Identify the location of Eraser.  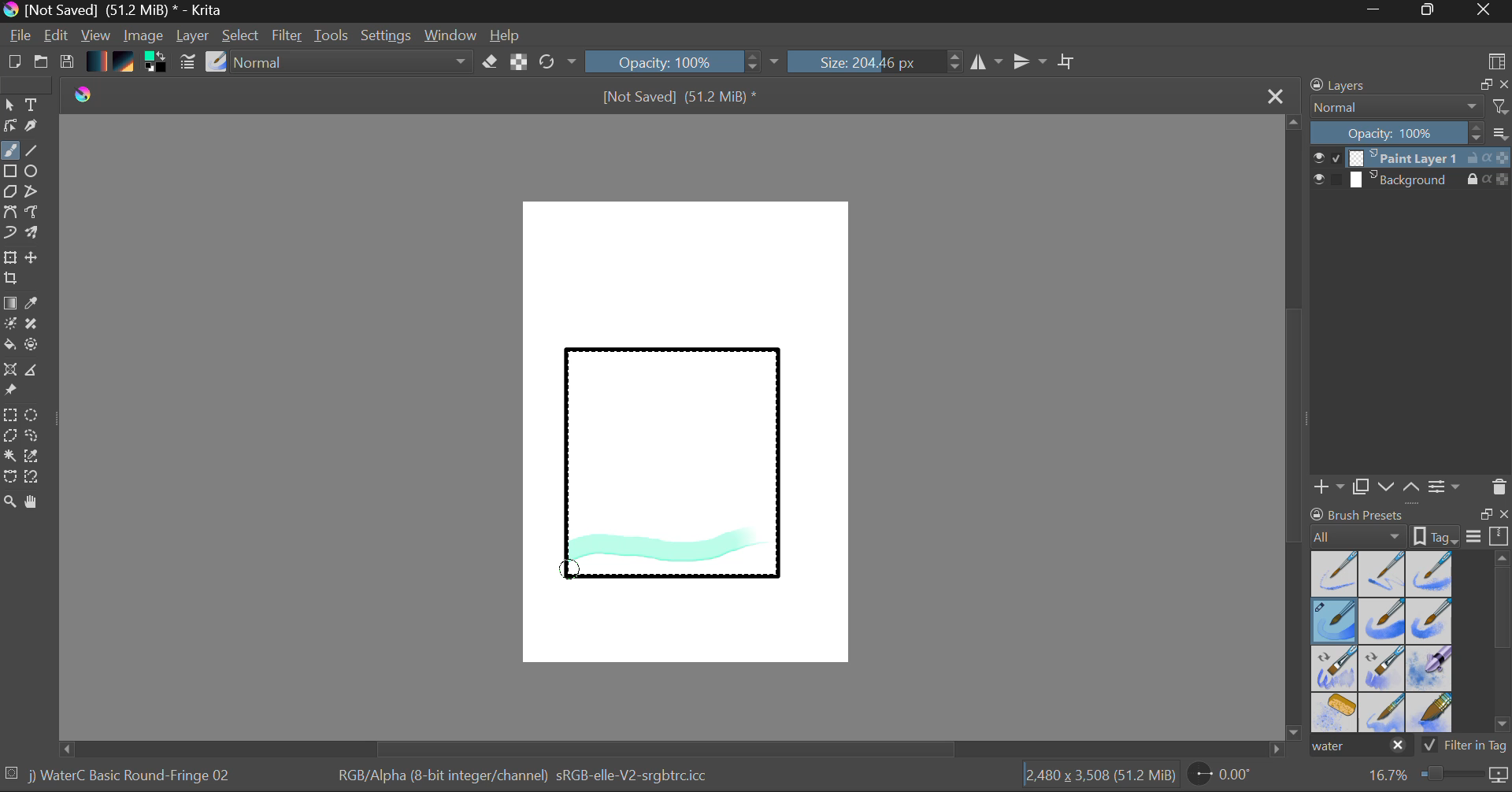
(491, 62).